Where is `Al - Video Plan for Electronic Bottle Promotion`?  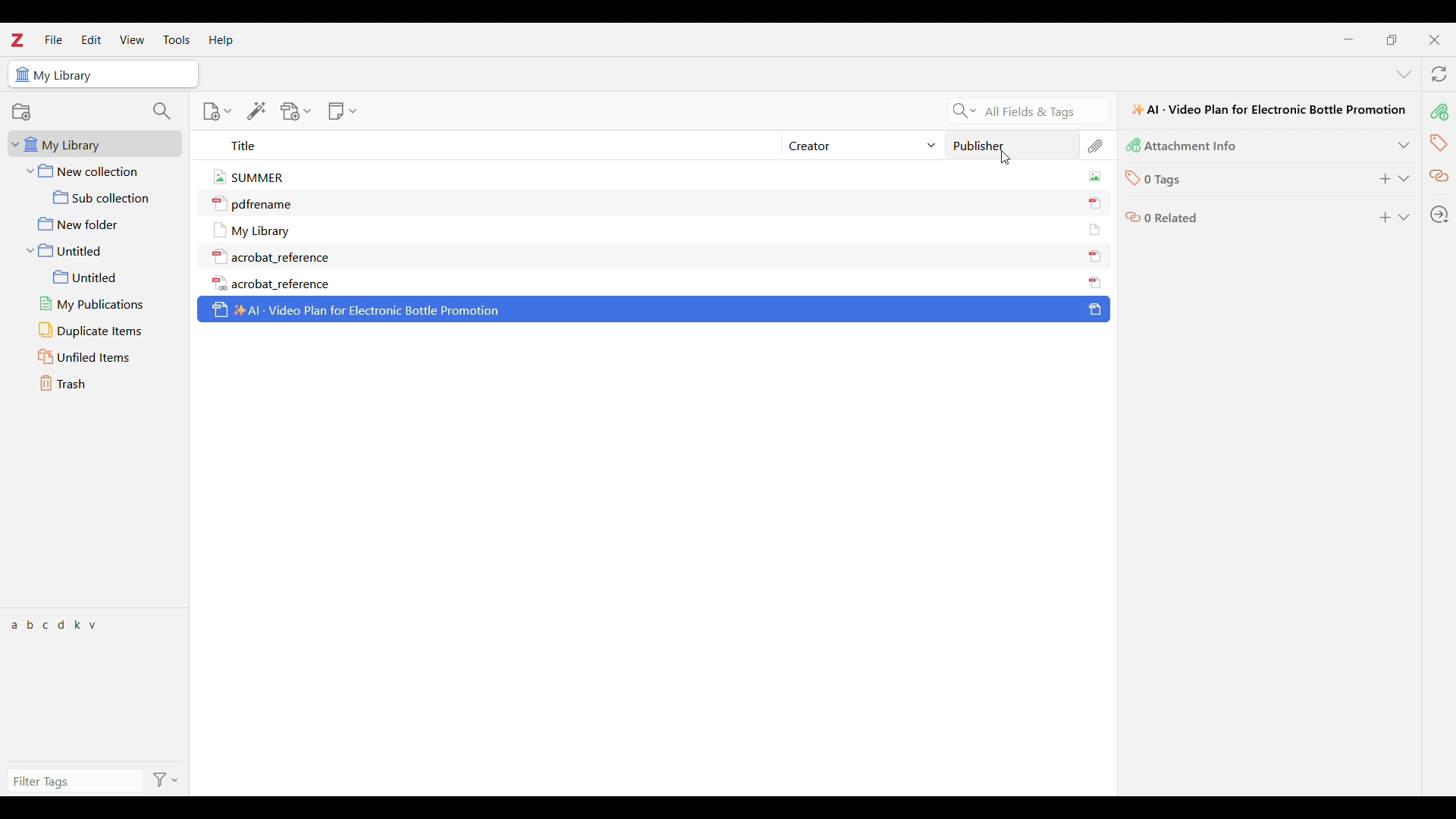 Al - Video Plan for Electronic Bottle Promotion is located at coordinates (1269, 109).